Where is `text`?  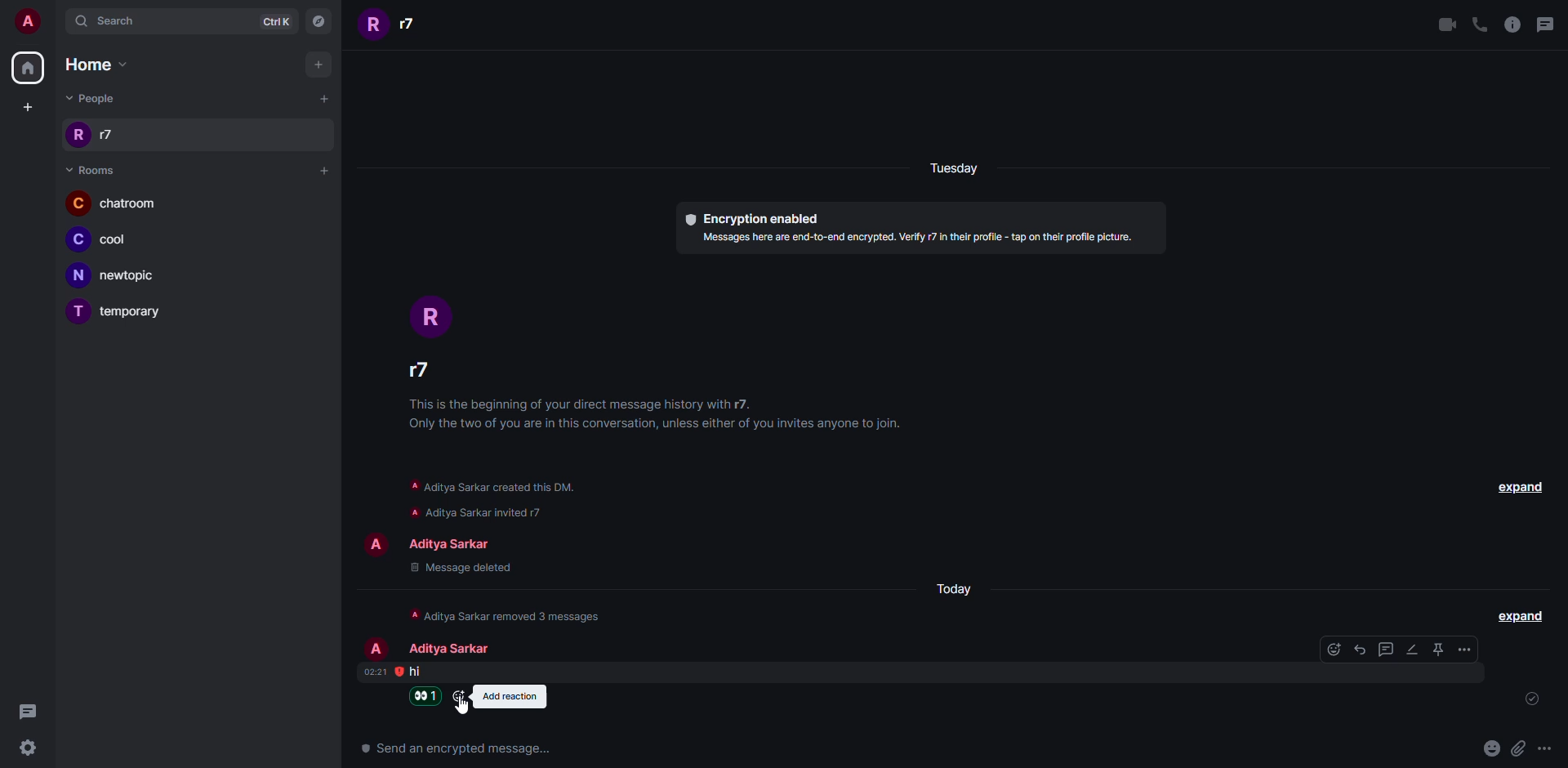 text is located at coordinates (460, 748).